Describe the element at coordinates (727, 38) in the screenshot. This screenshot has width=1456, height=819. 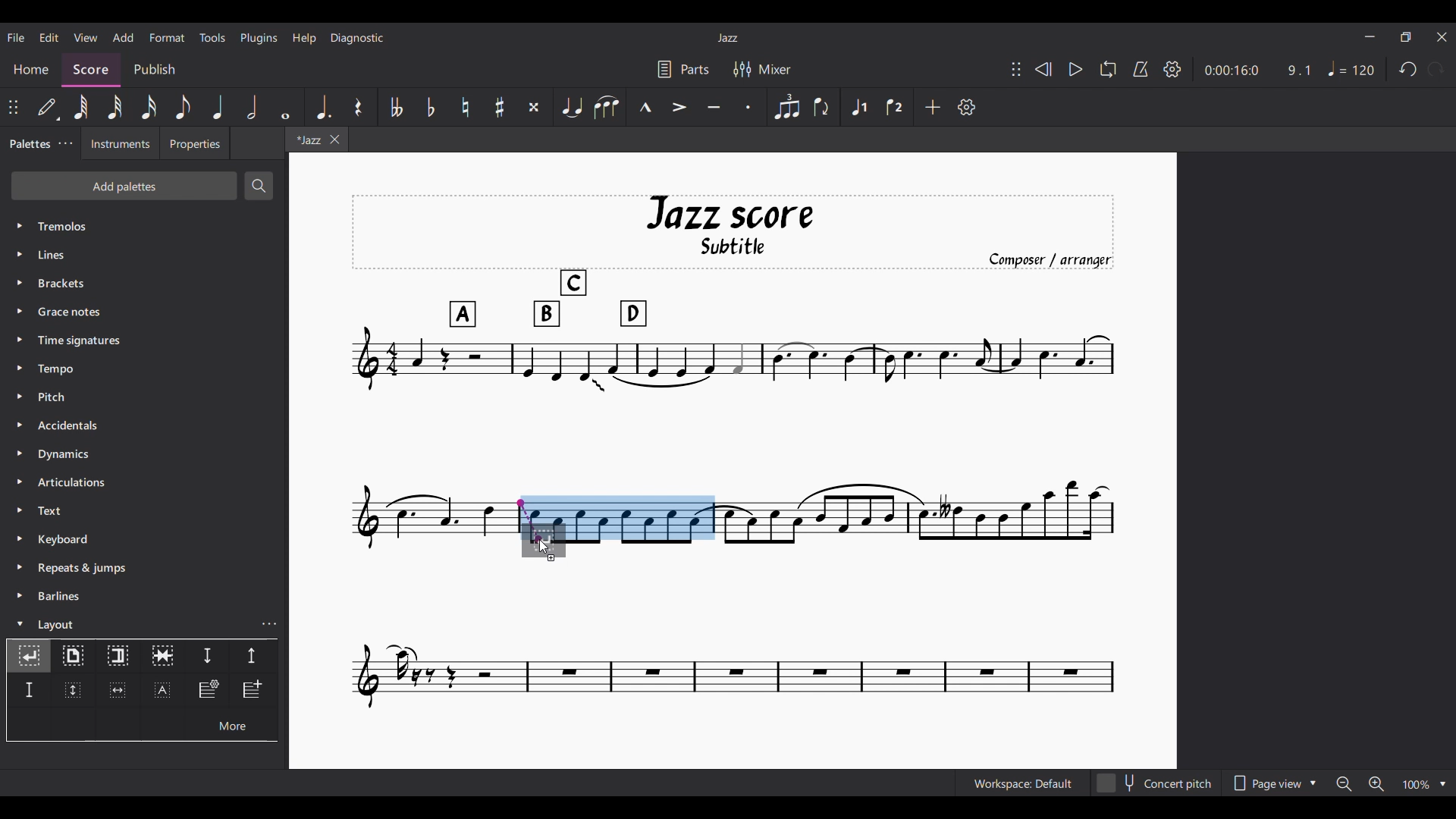
I see `Jazz` at that location.